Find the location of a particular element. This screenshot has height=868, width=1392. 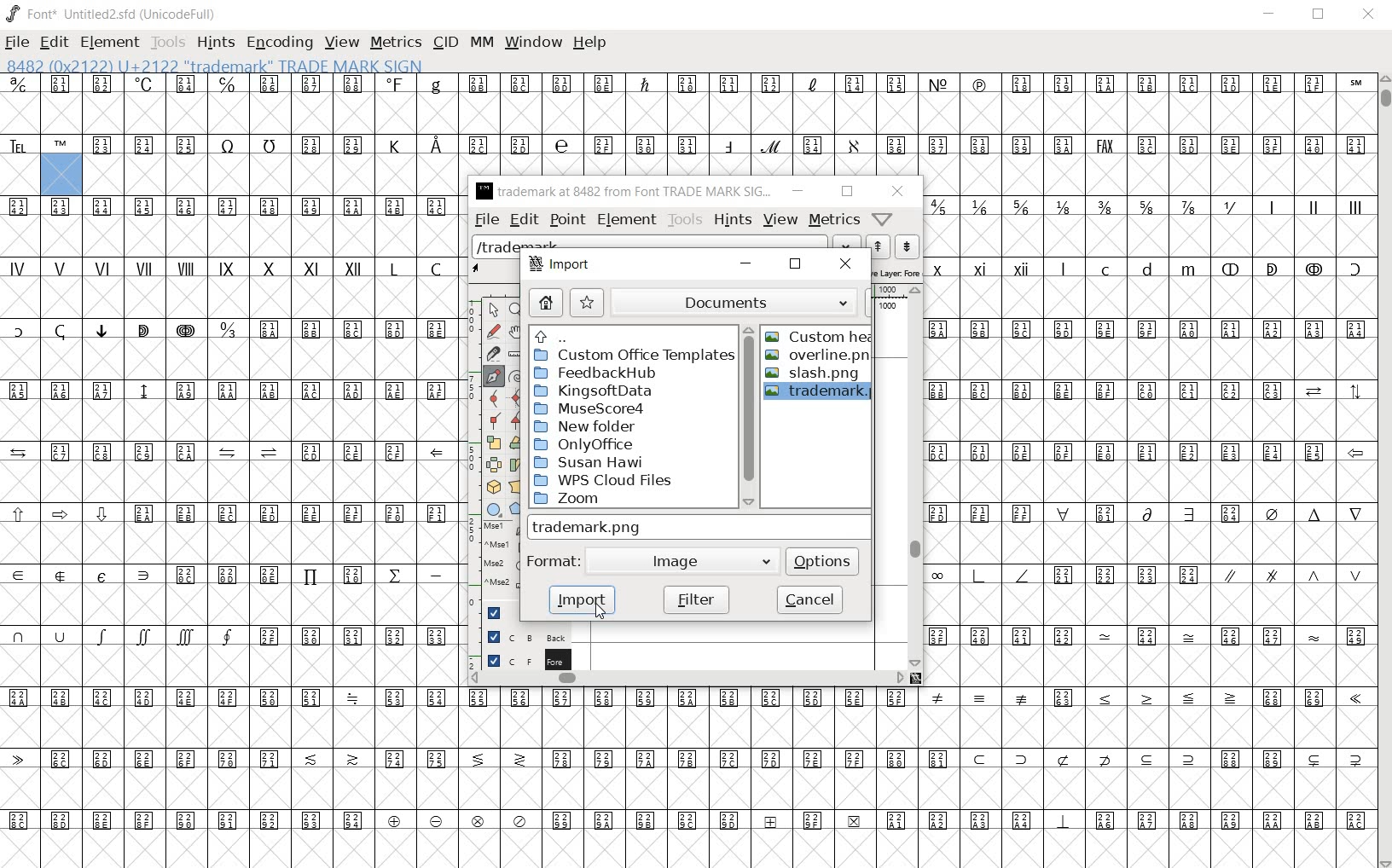

close is located at coordinates (850, 264).